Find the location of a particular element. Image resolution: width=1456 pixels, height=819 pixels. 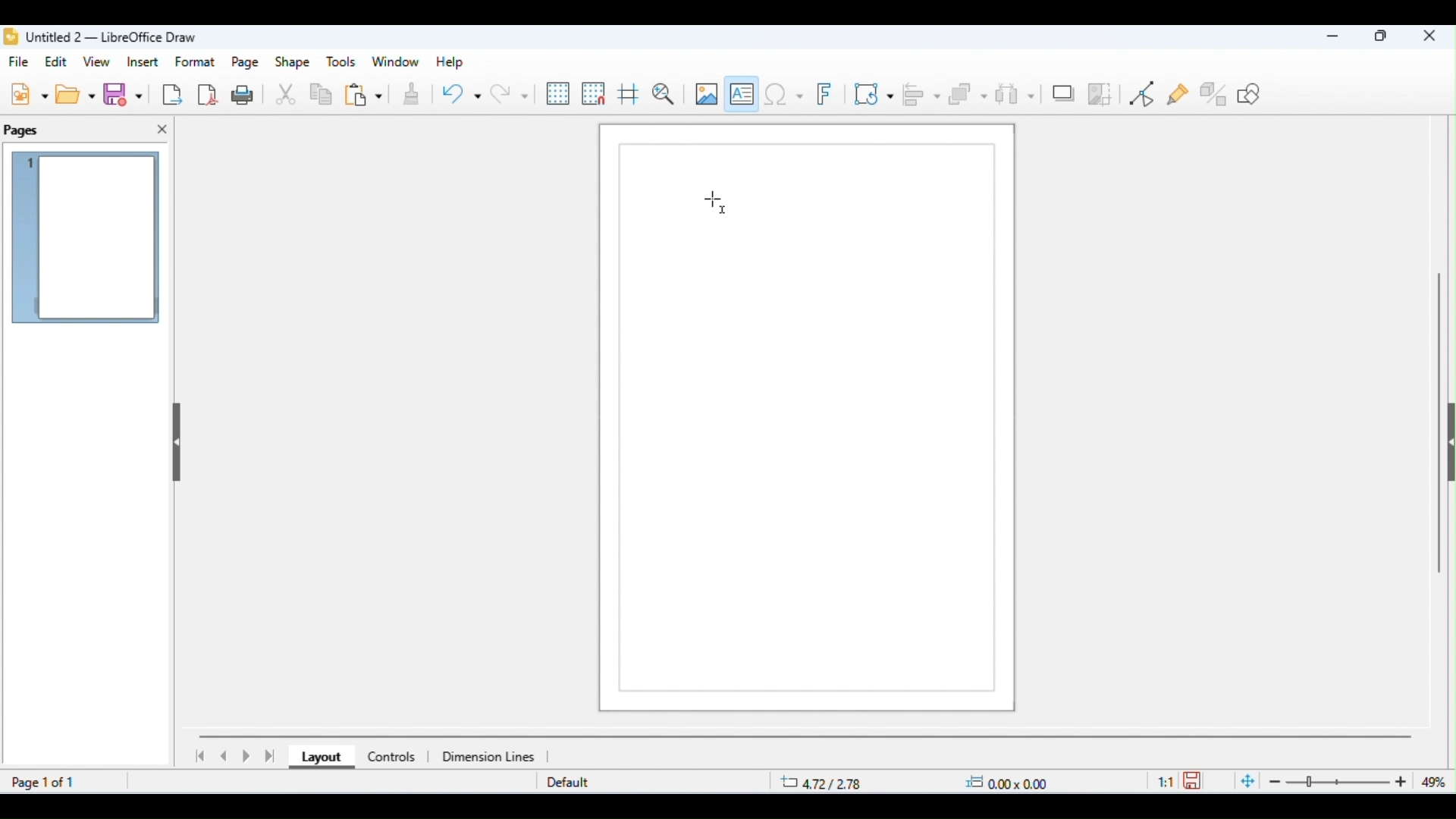

horizontal scroll bar is located at coordinates (806, 736).